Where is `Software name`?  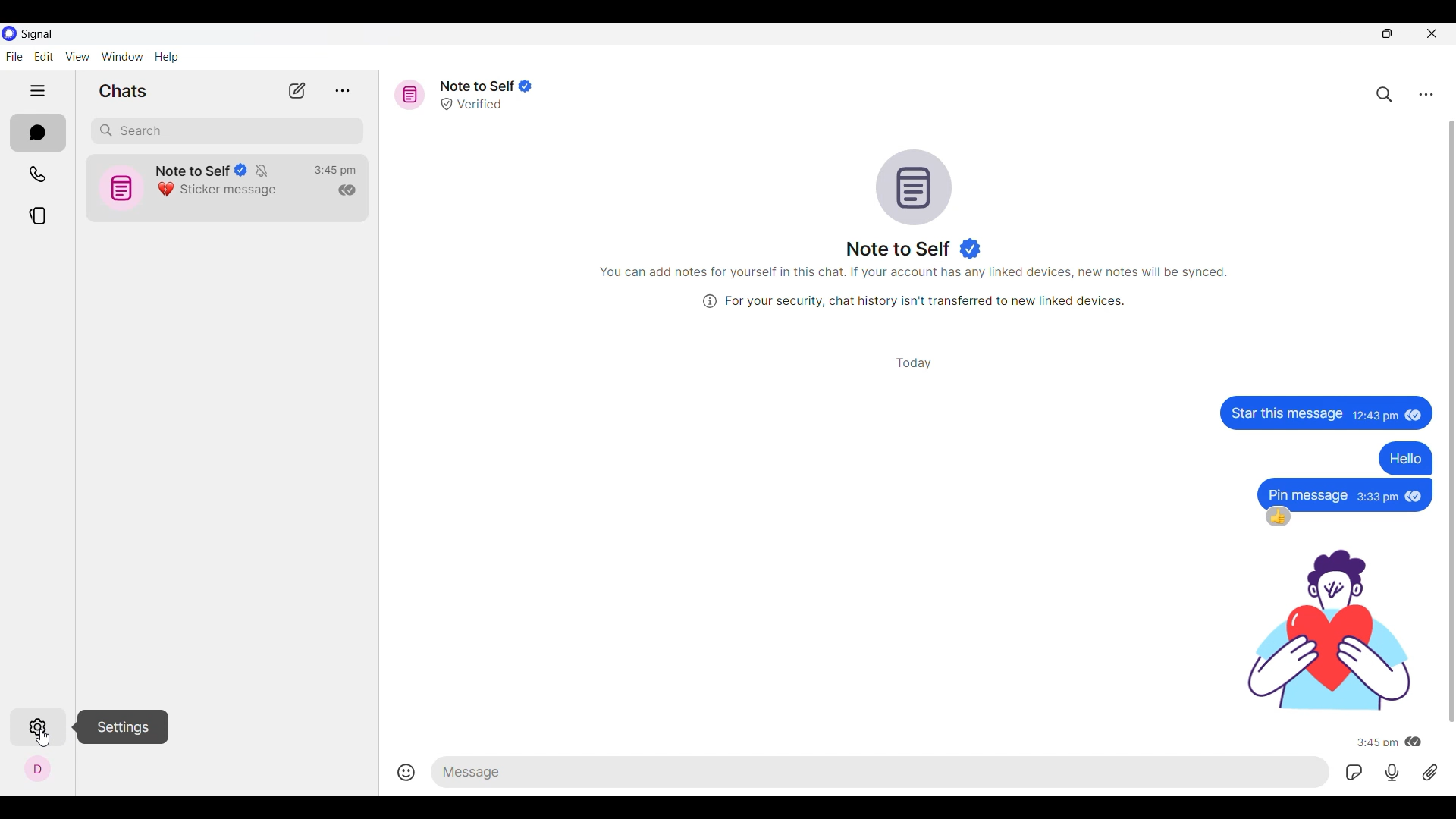
Software name is located at coordinates (36, 35).